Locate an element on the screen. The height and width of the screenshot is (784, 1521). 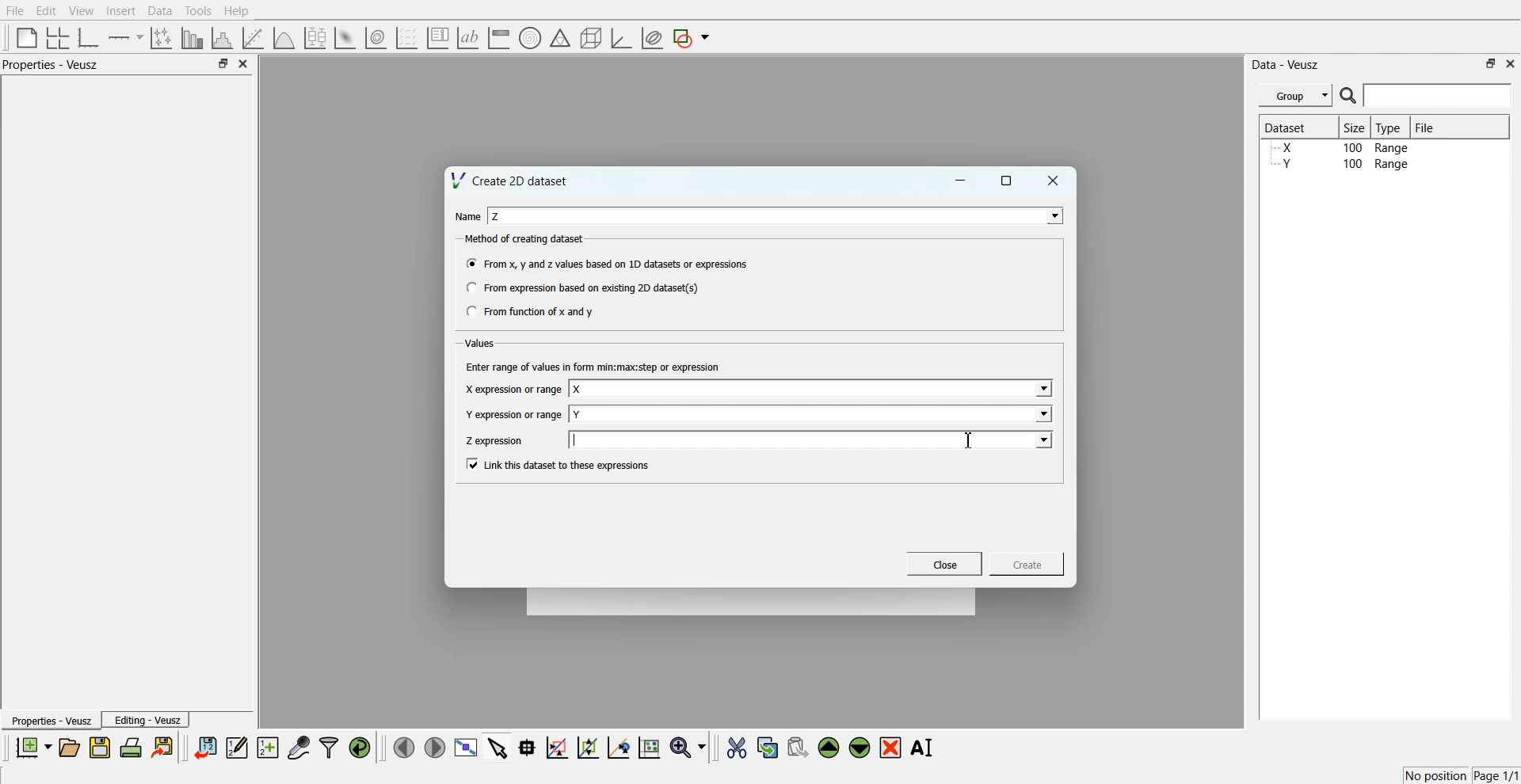
‘Name is located at coordinates (466, 215).